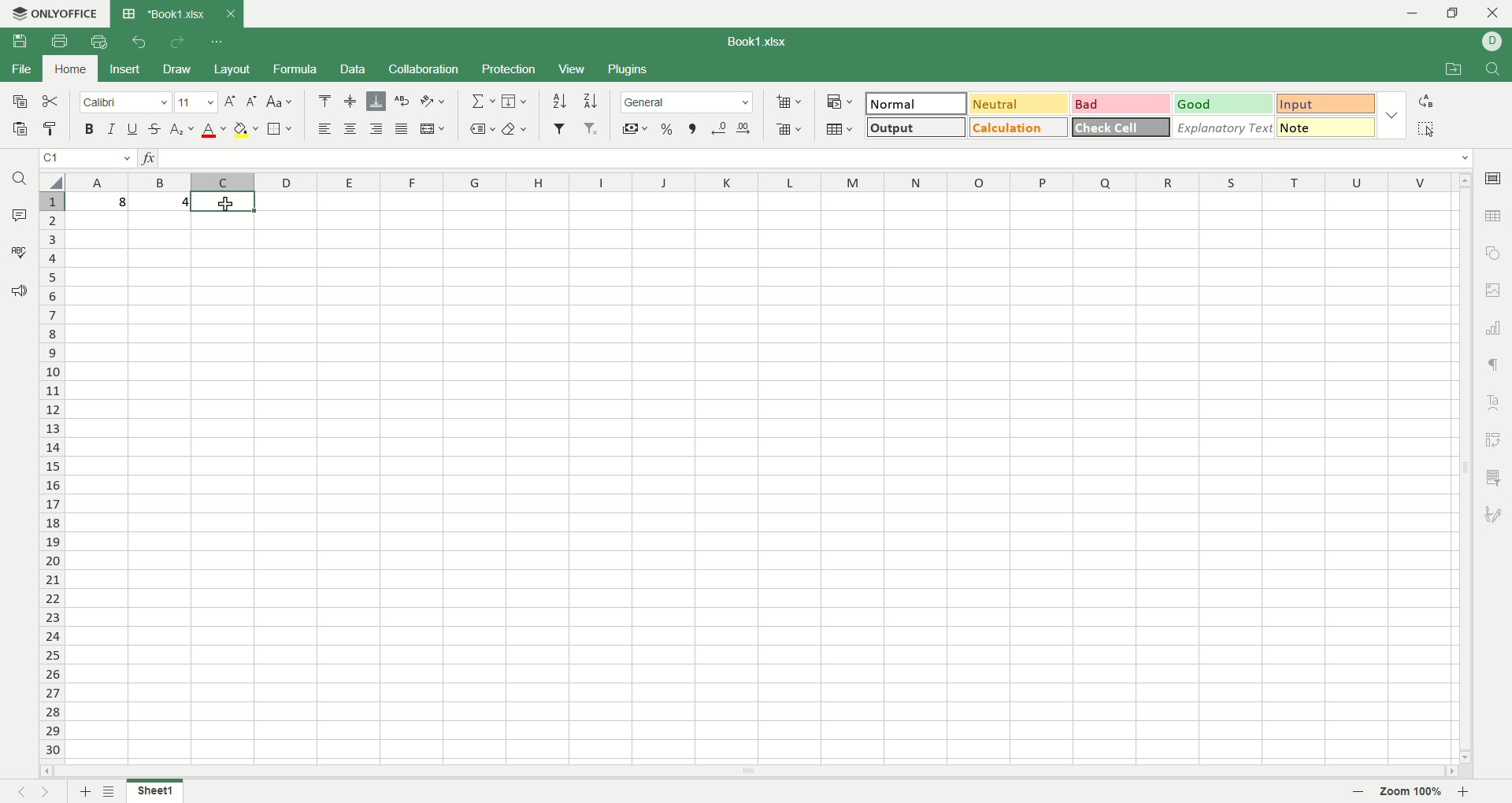 This screenshot has height=803, width=1512. I want to click on calculation, so click(1017, 127).